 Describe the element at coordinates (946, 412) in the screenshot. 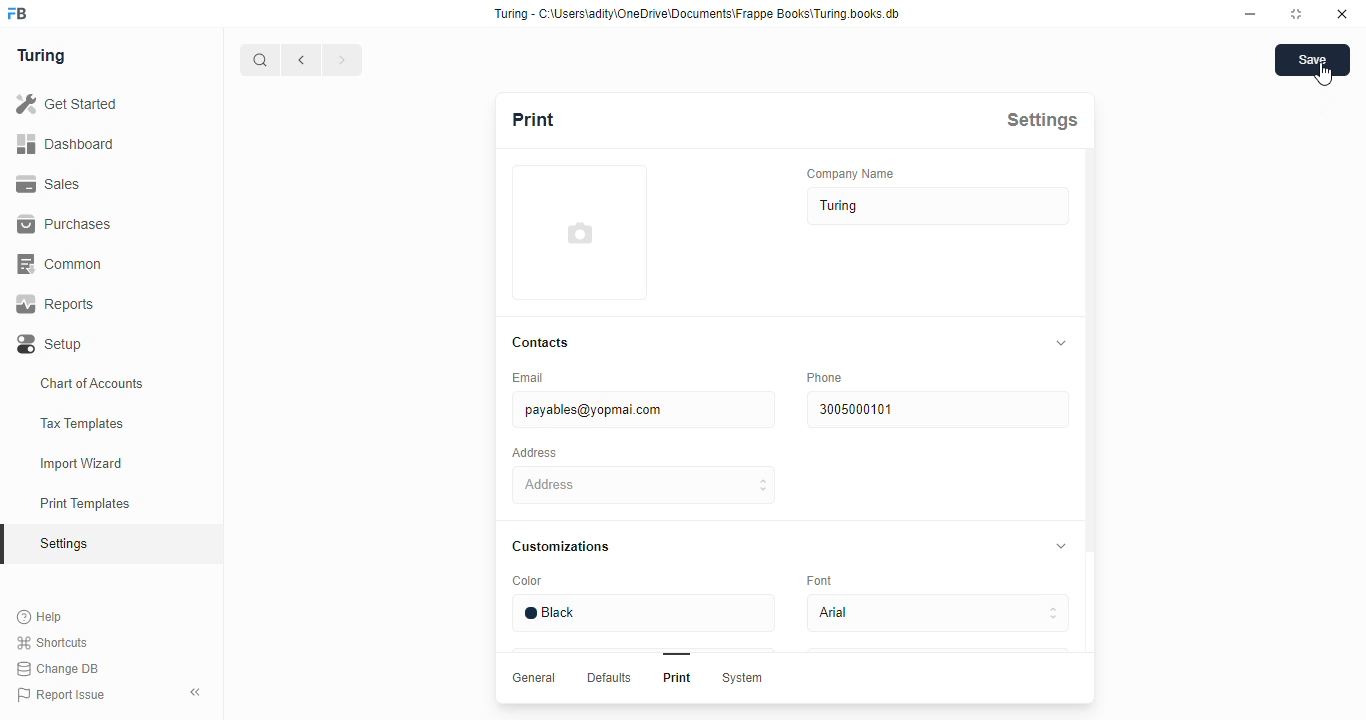

I see `3004000101` at that location.